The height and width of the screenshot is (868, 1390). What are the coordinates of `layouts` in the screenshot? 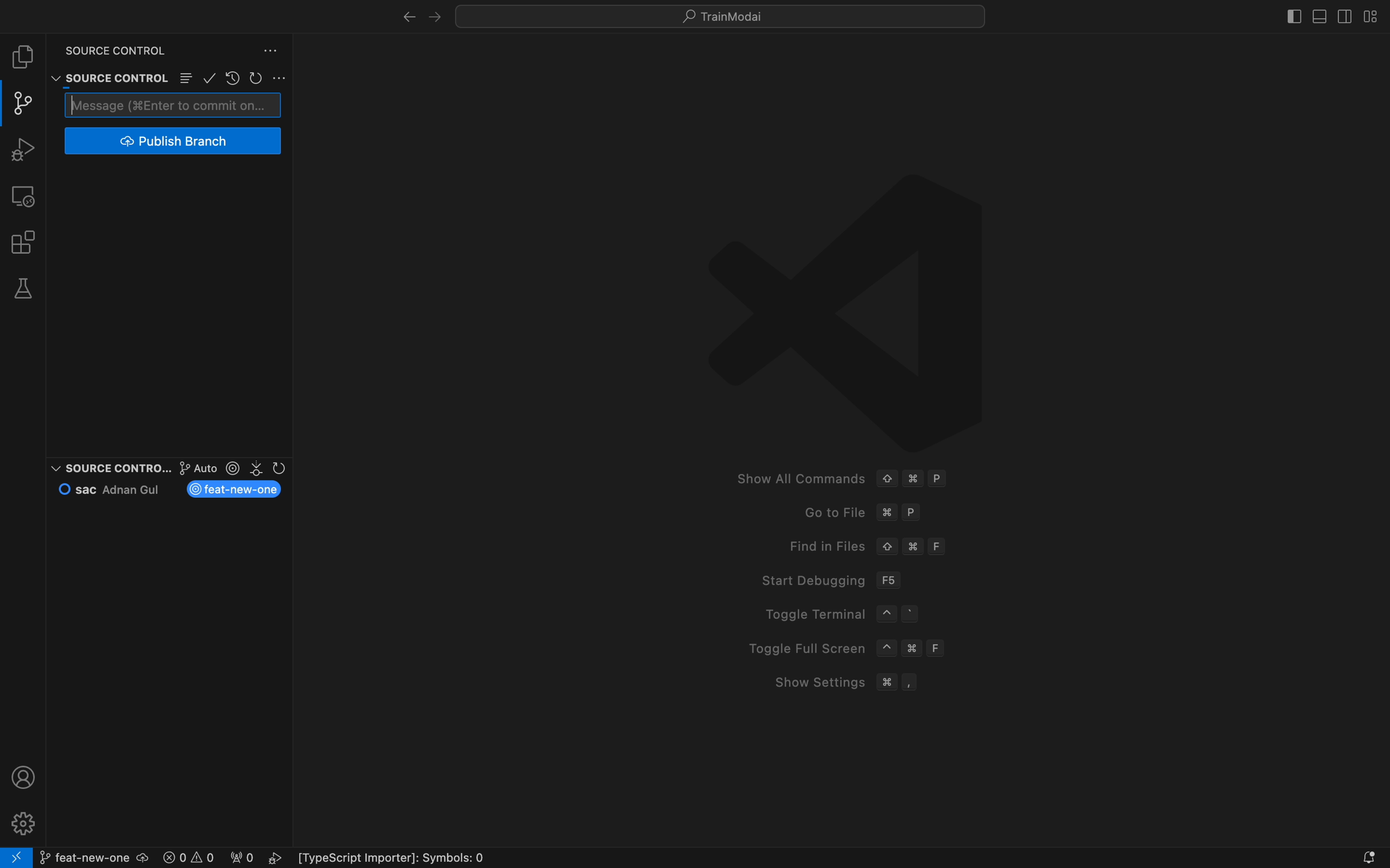 It's located at (1368, 16).